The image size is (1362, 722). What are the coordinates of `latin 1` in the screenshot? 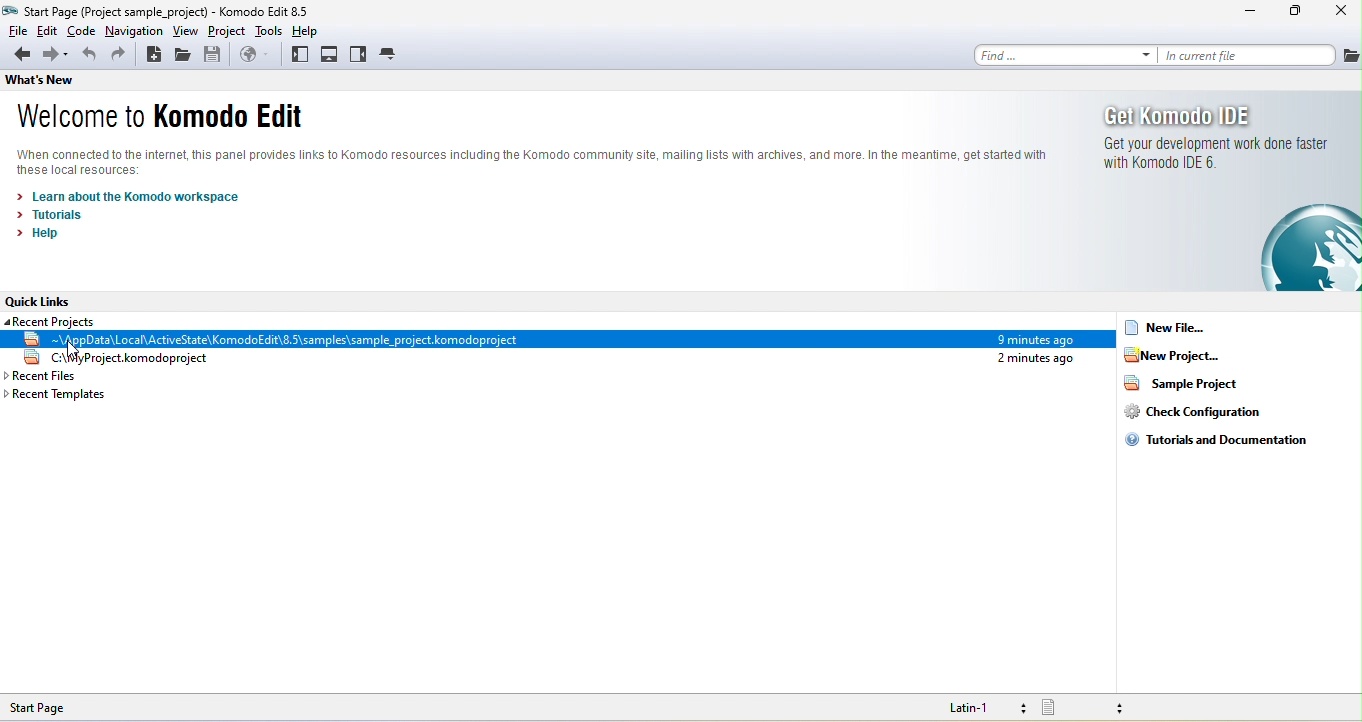 It's located at (973, 707).